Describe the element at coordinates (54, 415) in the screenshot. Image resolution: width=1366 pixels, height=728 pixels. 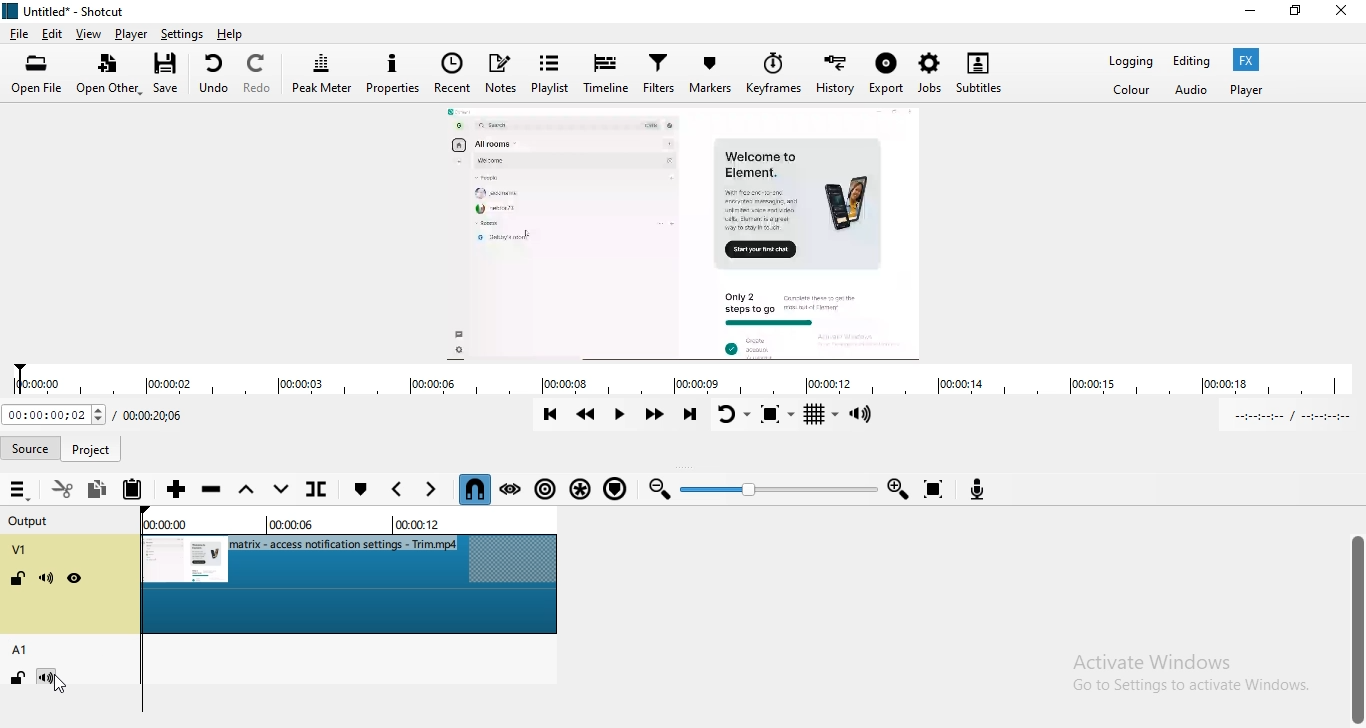
I see `Current position` at that location.